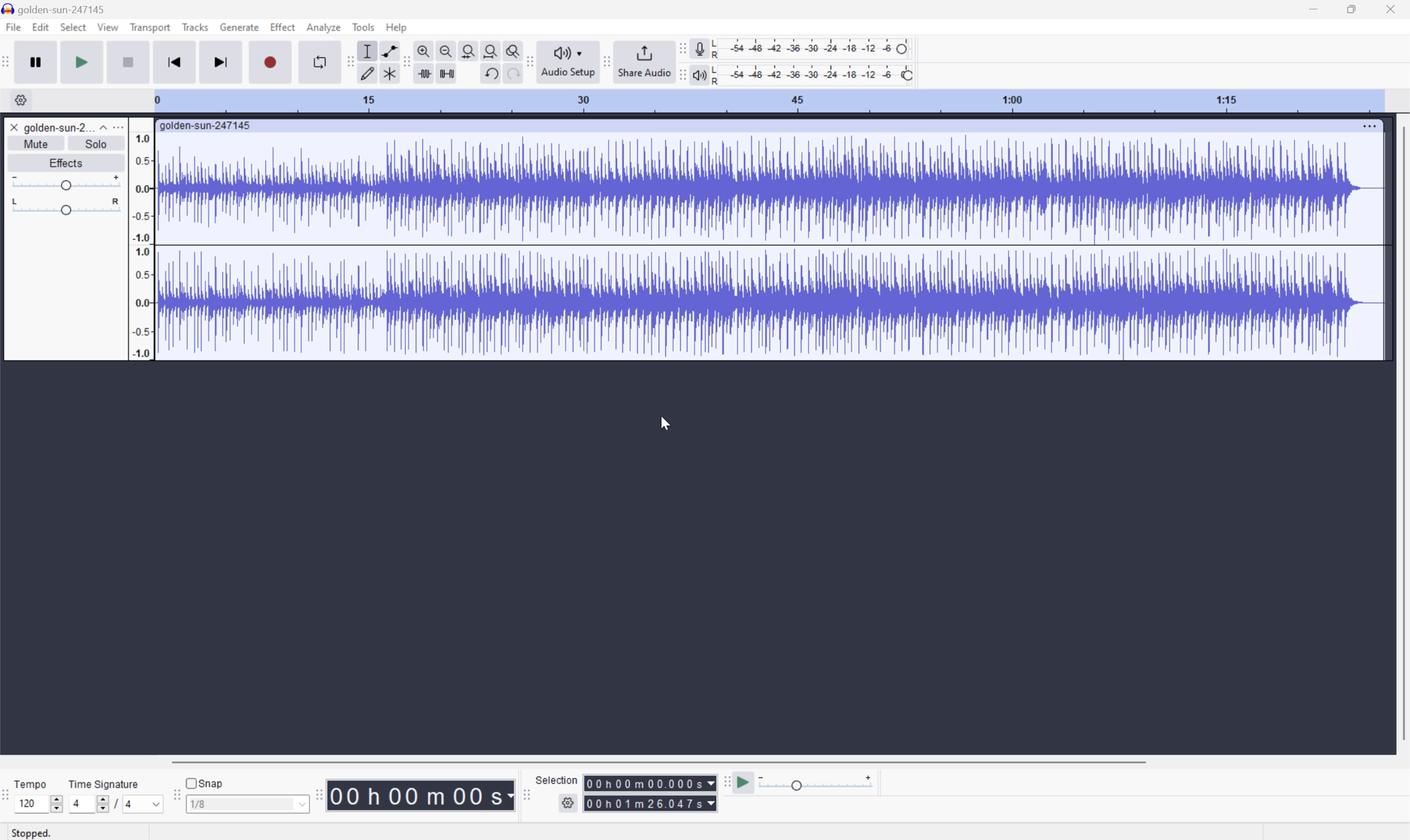 The height and width of the screenshot is (840, 1410). Describe the element at coordinates (680, 48) in the screenshot. I see `Audacity recording meter toolbar` at that location.